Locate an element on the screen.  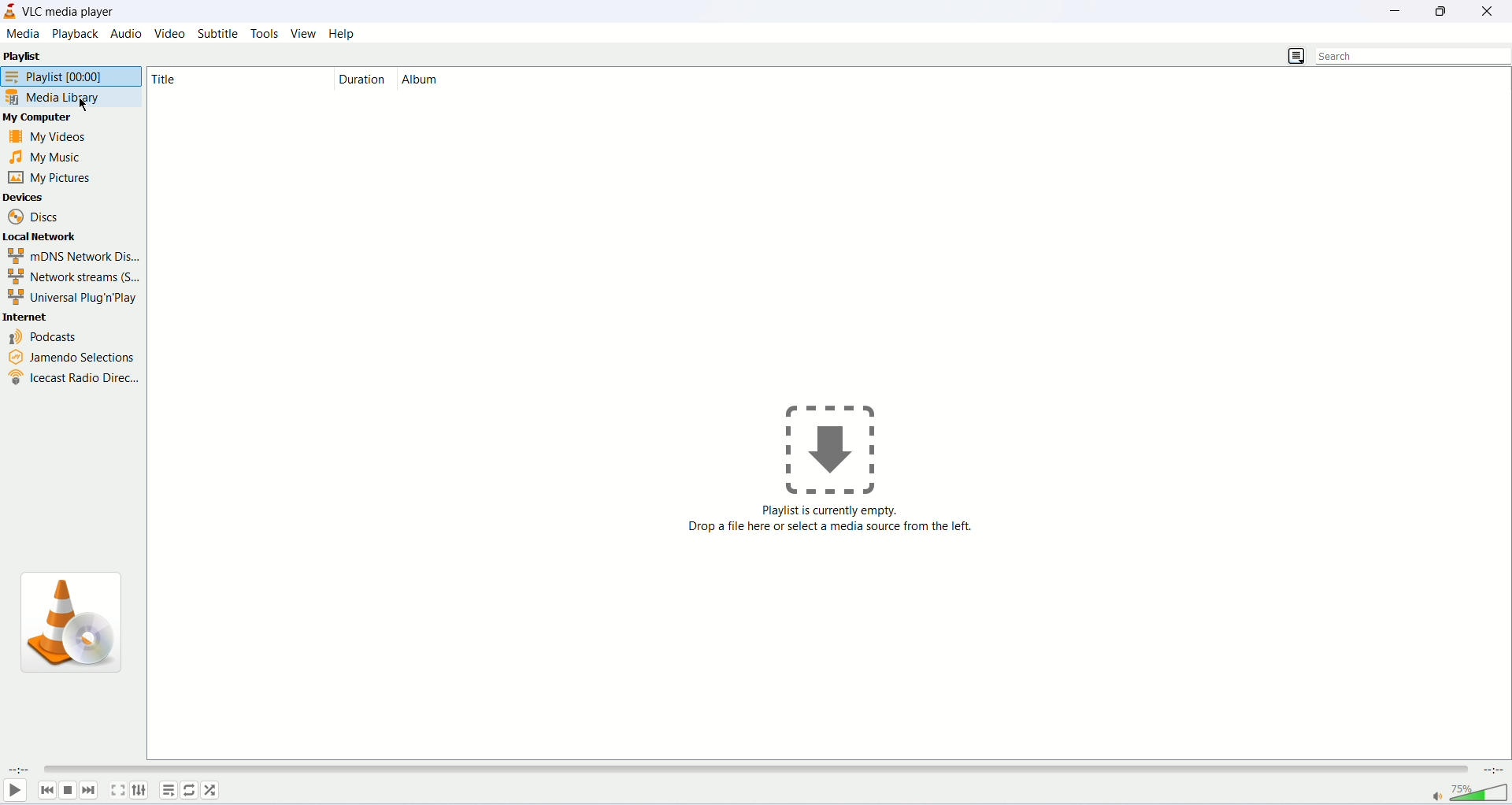
close is located at coordinates (1492, 12).